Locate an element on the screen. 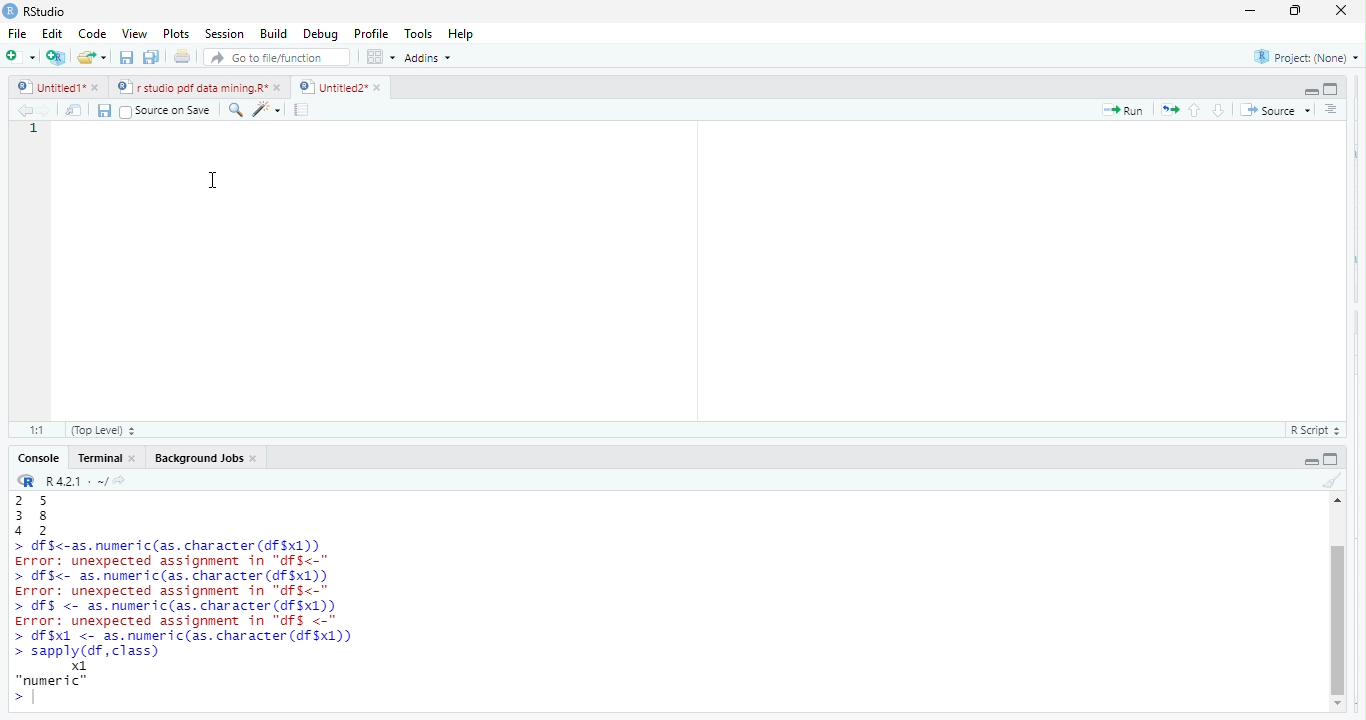  tools is located at coordinates (417, 32).